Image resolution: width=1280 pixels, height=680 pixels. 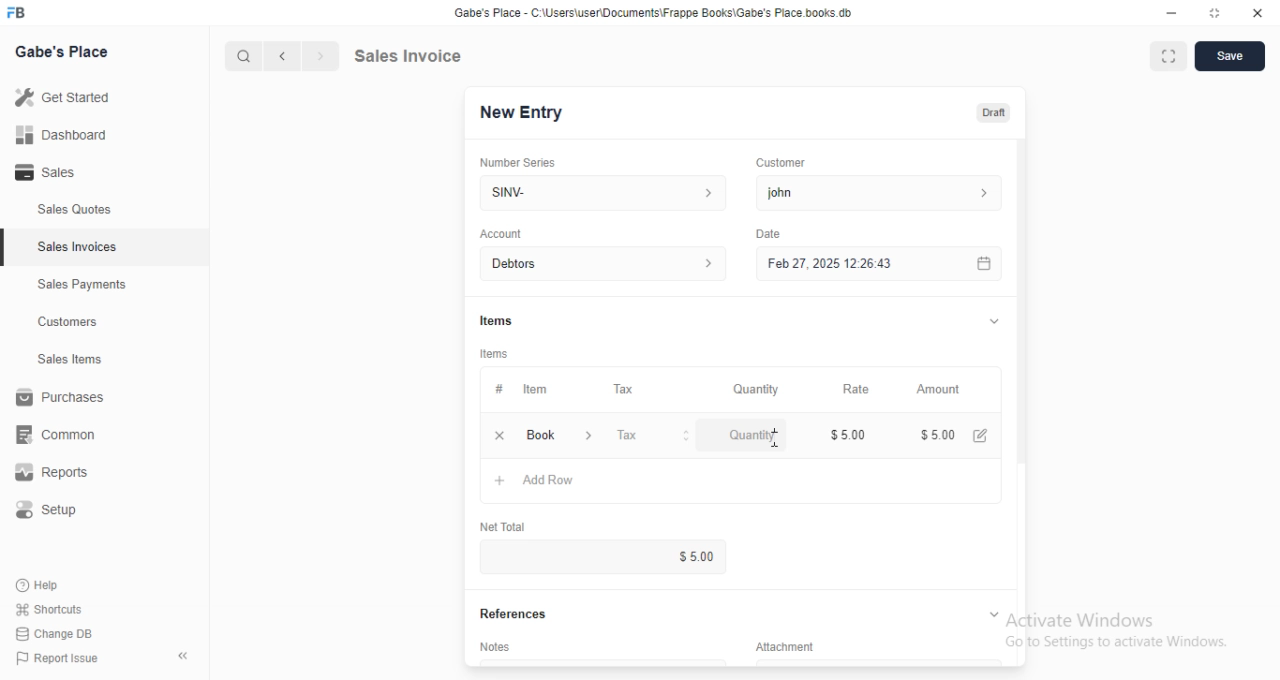 What do you see at coordinates (181, 653) in the screenshot?
I see `Arrow` at bounding box center [181, 653].